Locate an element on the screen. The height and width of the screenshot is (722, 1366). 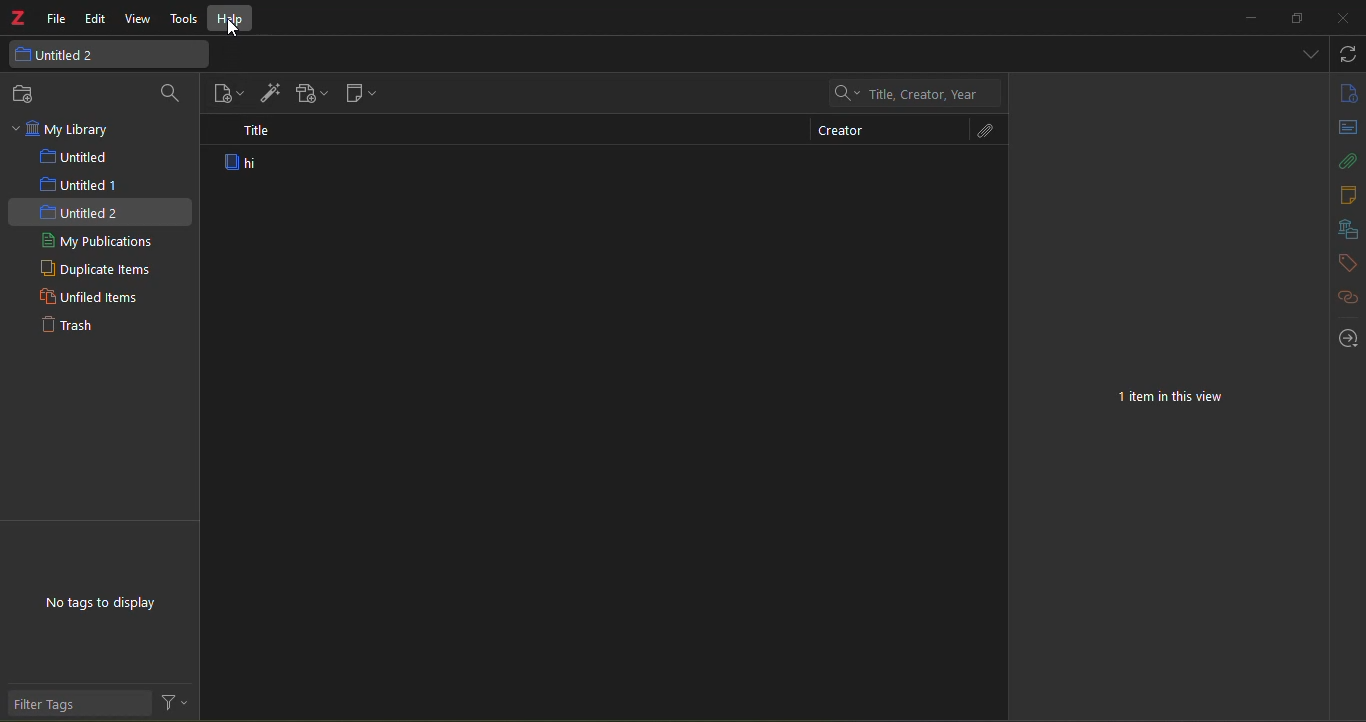
file is located at coordinates (57, 20).